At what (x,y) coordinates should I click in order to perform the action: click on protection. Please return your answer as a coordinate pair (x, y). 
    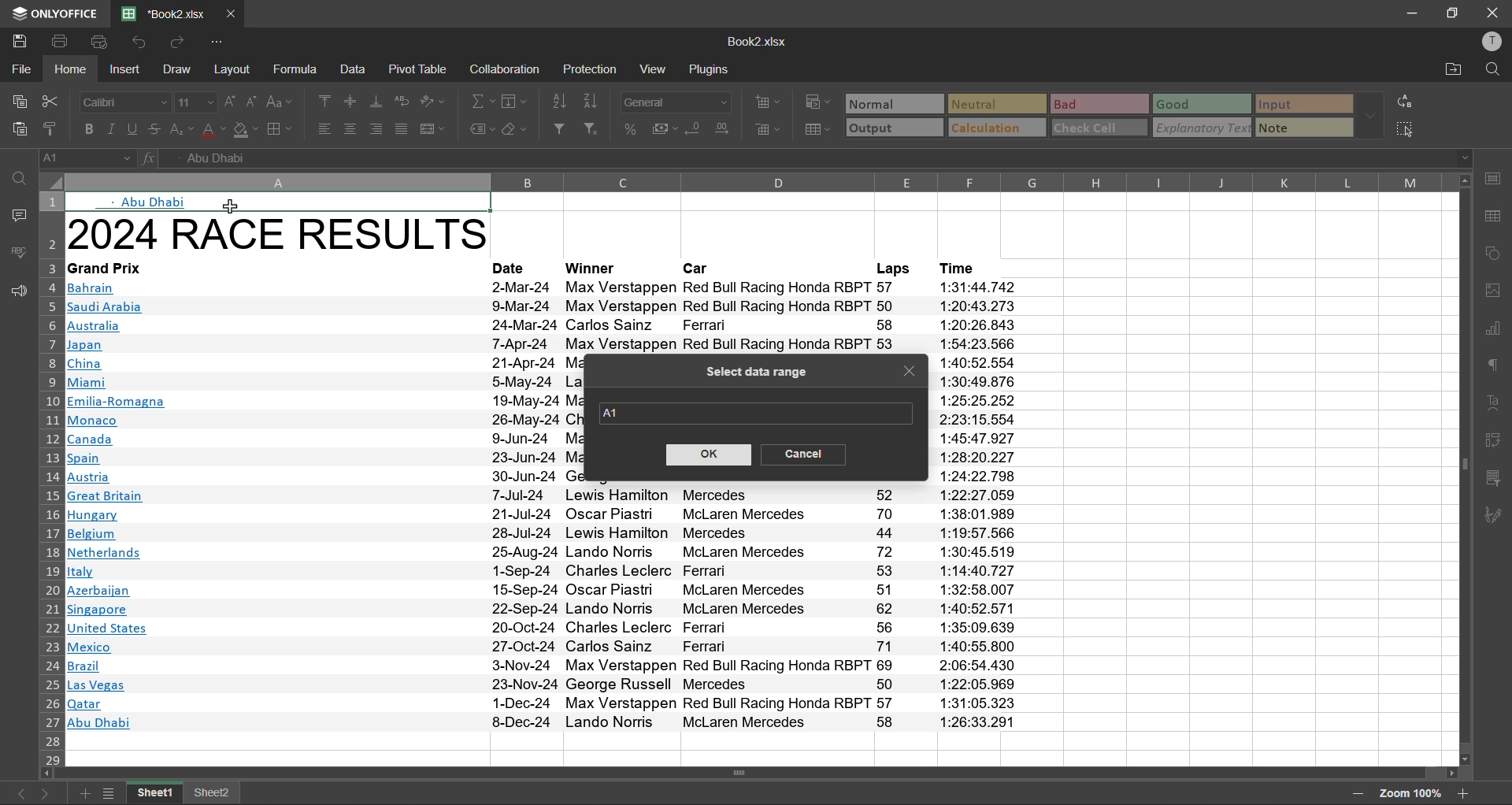
    Looking at the image, I should click on (592, 70).